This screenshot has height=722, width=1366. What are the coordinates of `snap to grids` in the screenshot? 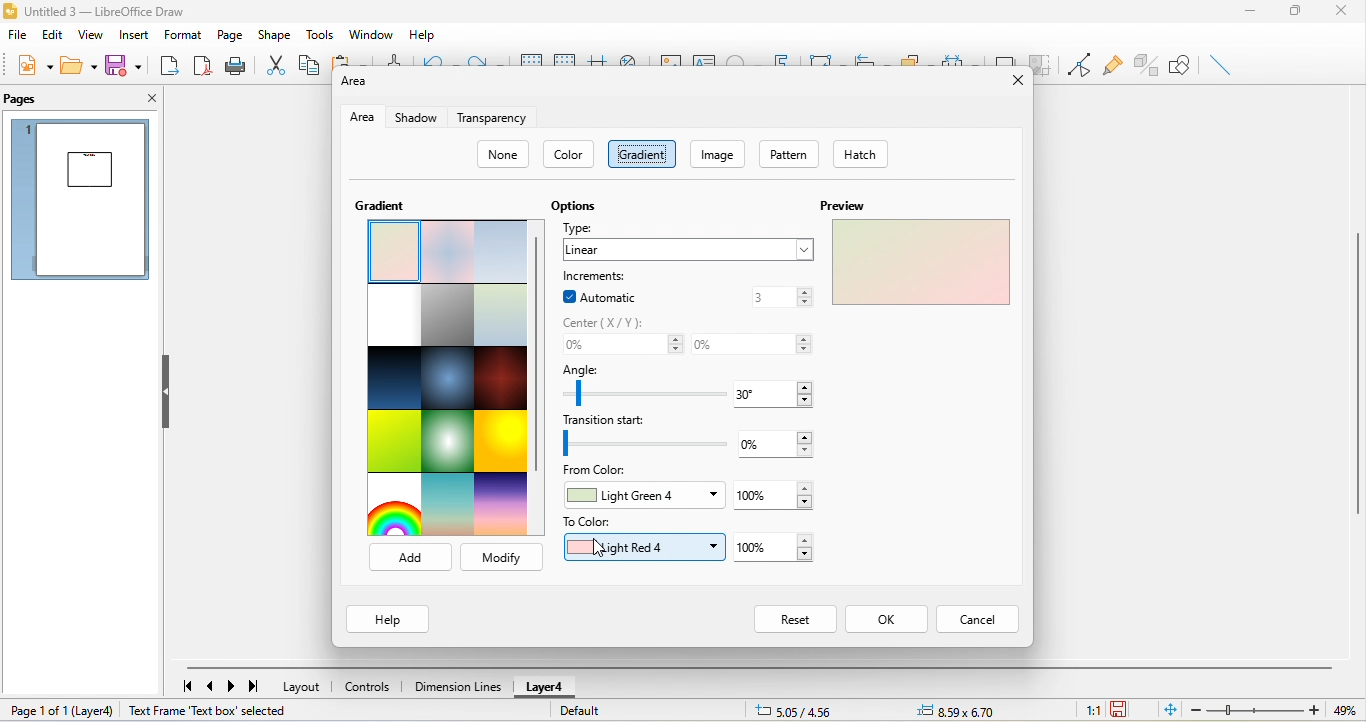 It's located at (567, 57).